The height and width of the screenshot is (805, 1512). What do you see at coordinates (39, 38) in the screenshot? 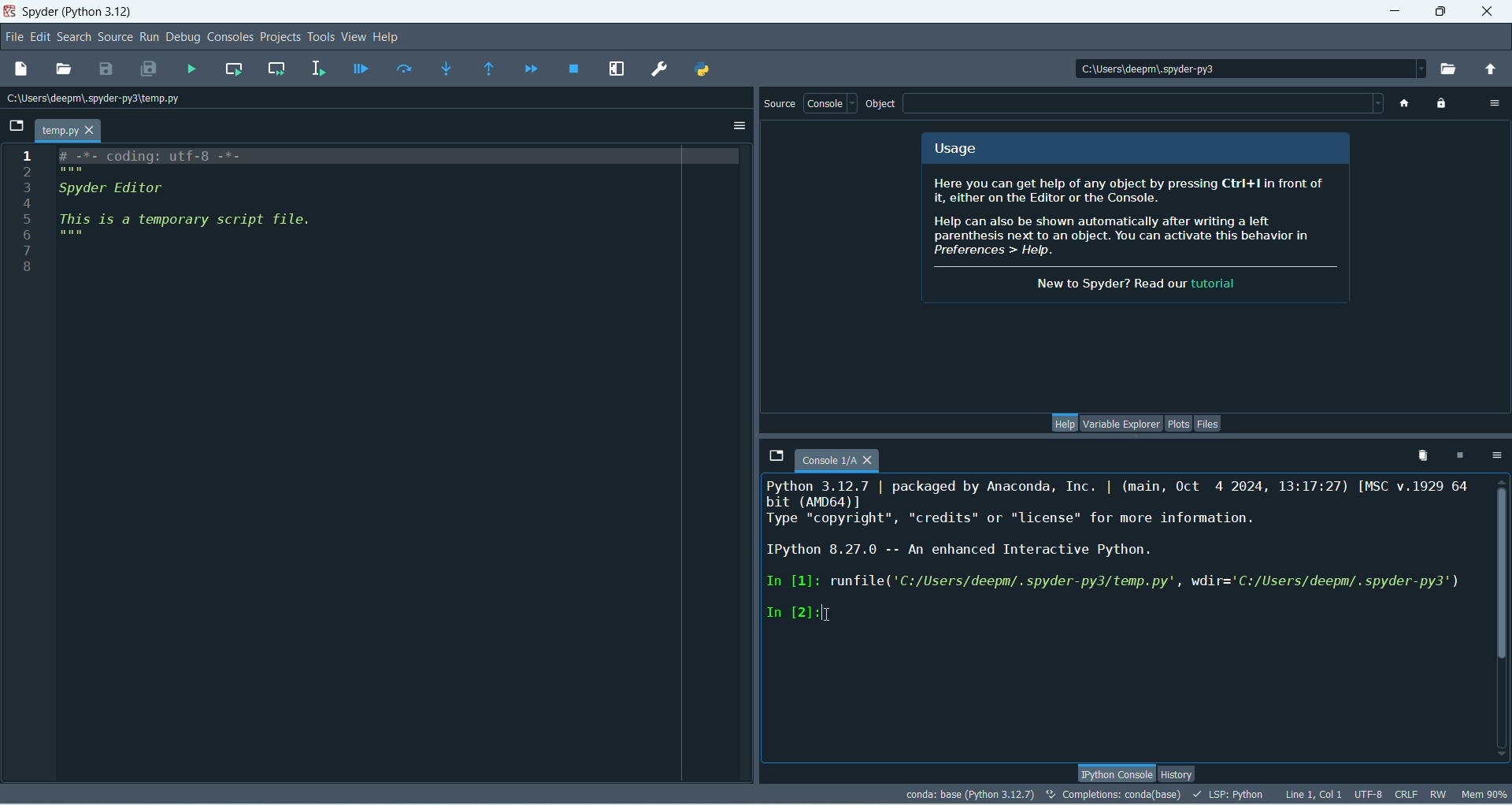
I see `edit` at bounding box center [39, 38].